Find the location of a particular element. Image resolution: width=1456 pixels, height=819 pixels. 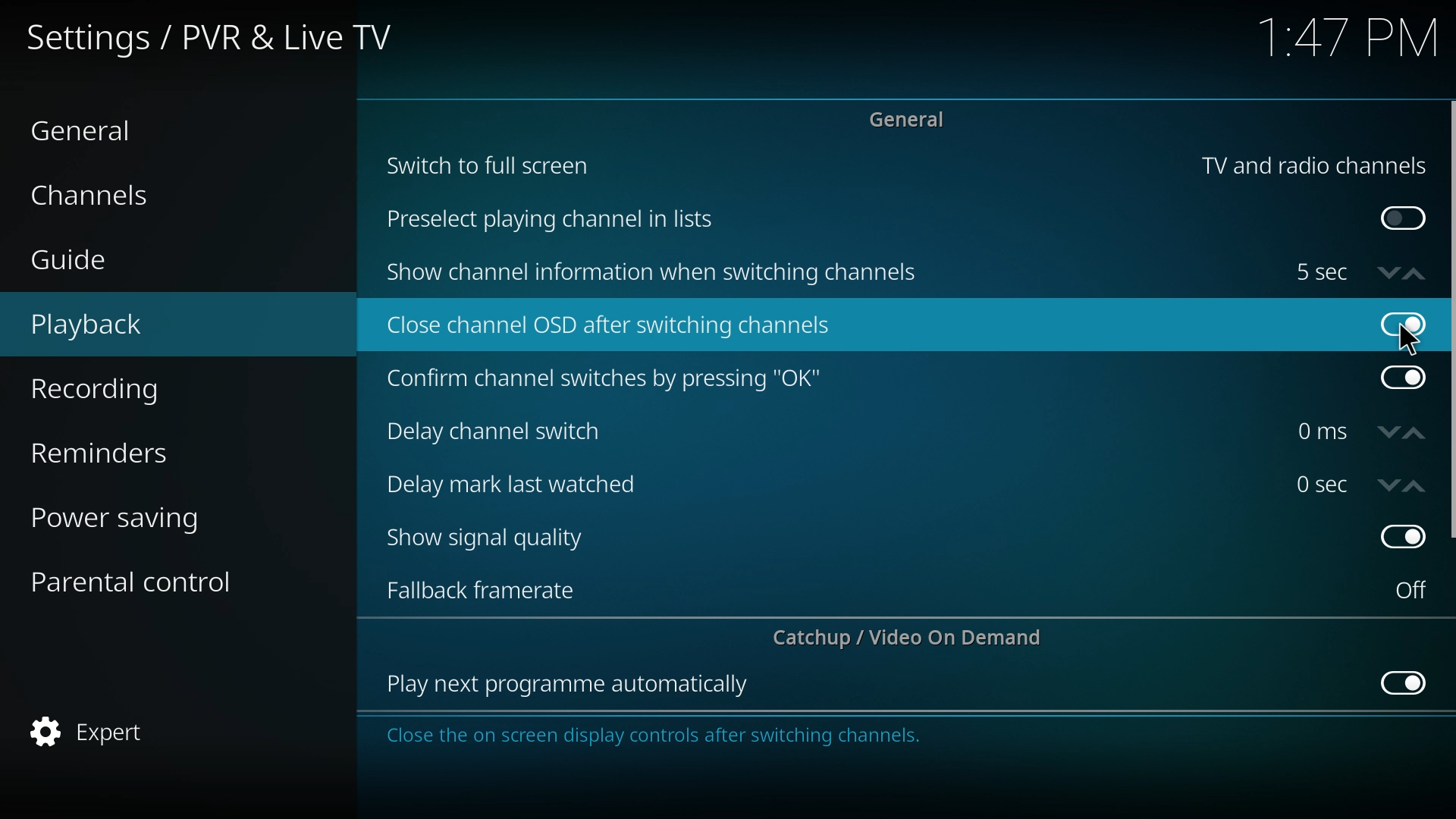

off is located at coordinates (1403, 378).